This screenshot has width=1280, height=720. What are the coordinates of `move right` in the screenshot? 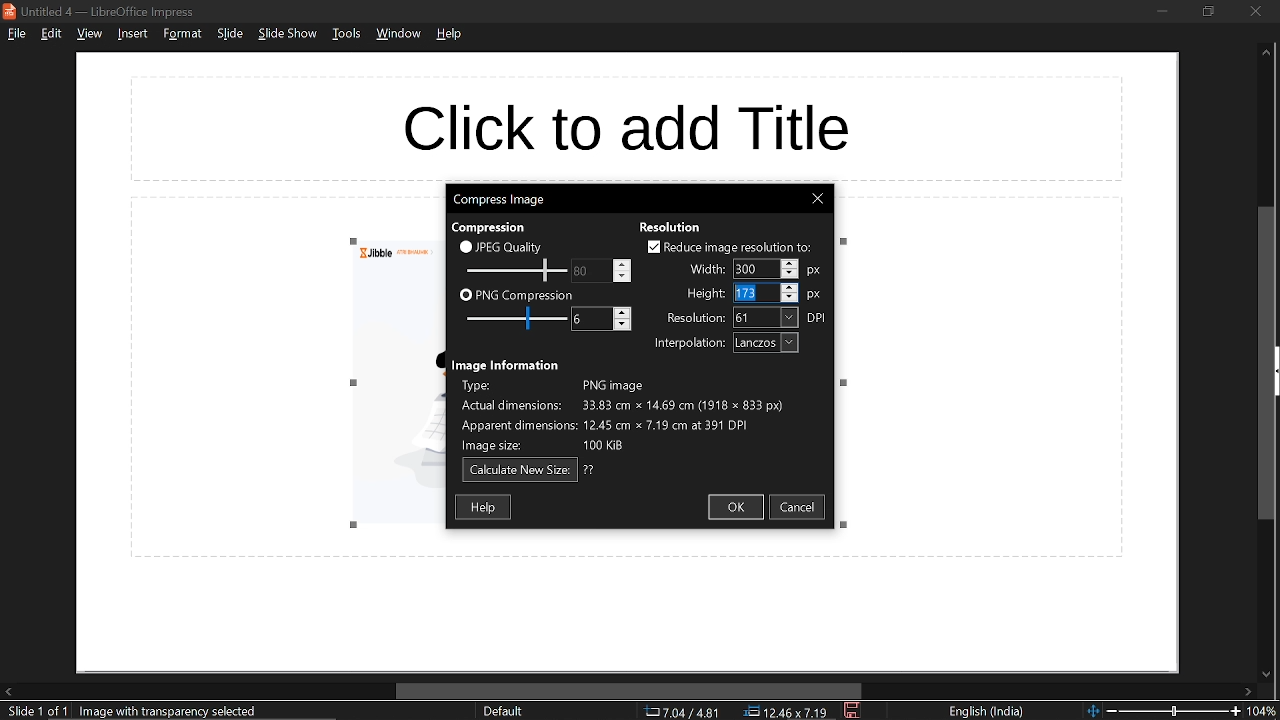 It's located at (1249, 691).